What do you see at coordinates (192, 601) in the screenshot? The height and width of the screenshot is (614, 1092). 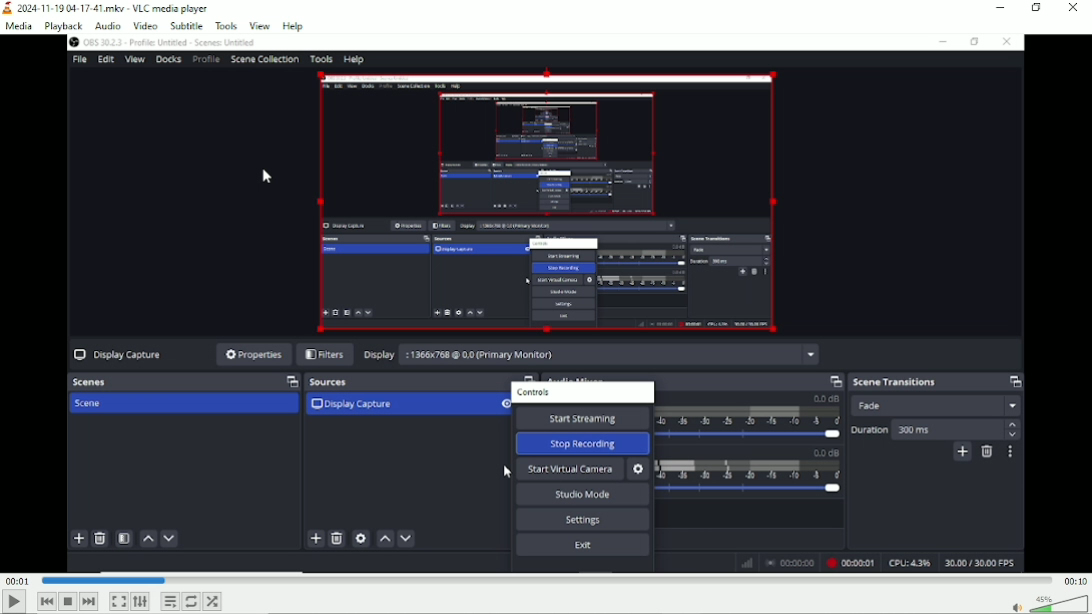 I see `Toggle between loop all, loop one and no loop` at bounding box center [192, 601].